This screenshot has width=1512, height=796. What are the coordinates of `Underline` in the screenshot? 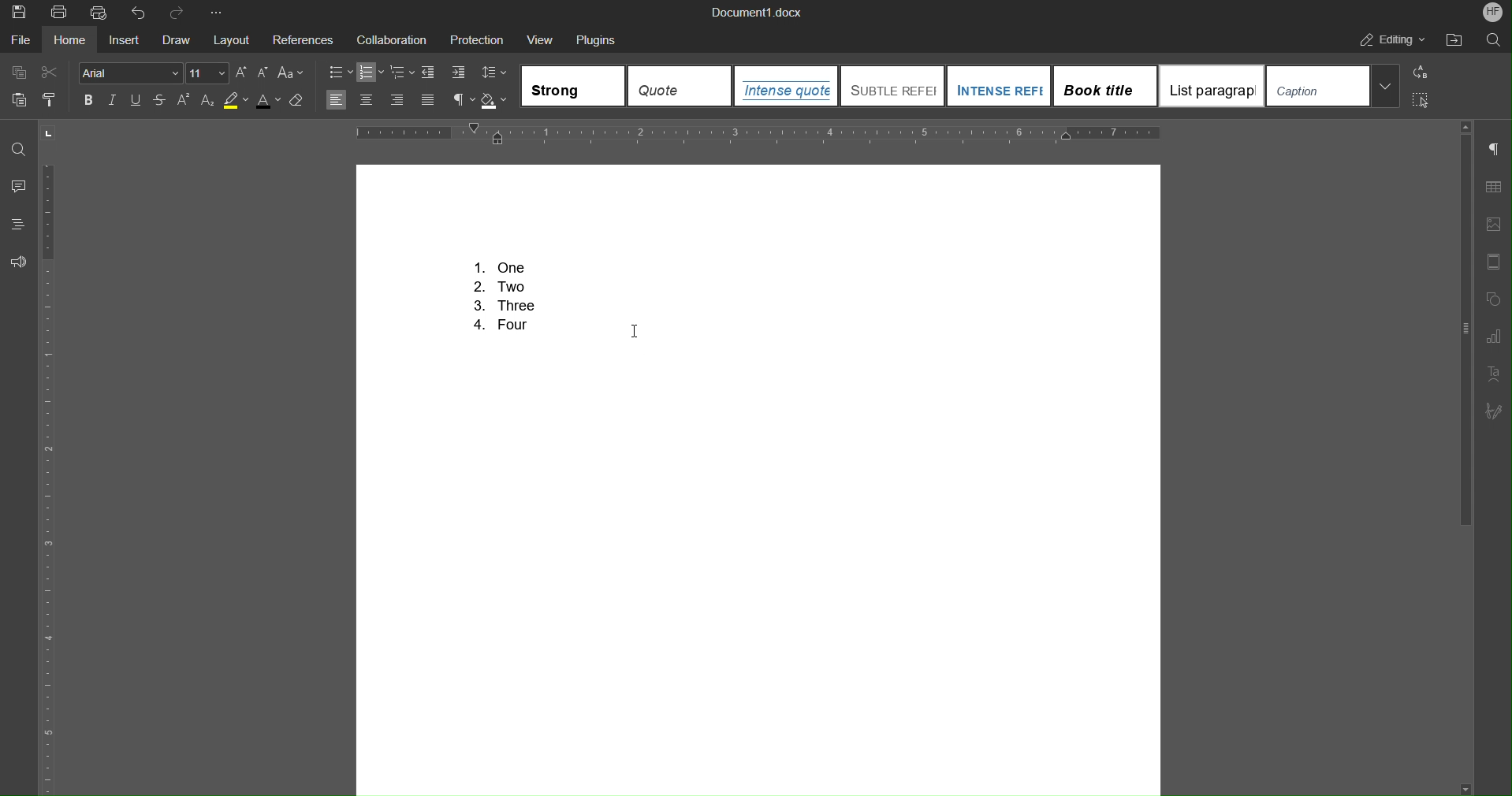 It's located at (136, 100).